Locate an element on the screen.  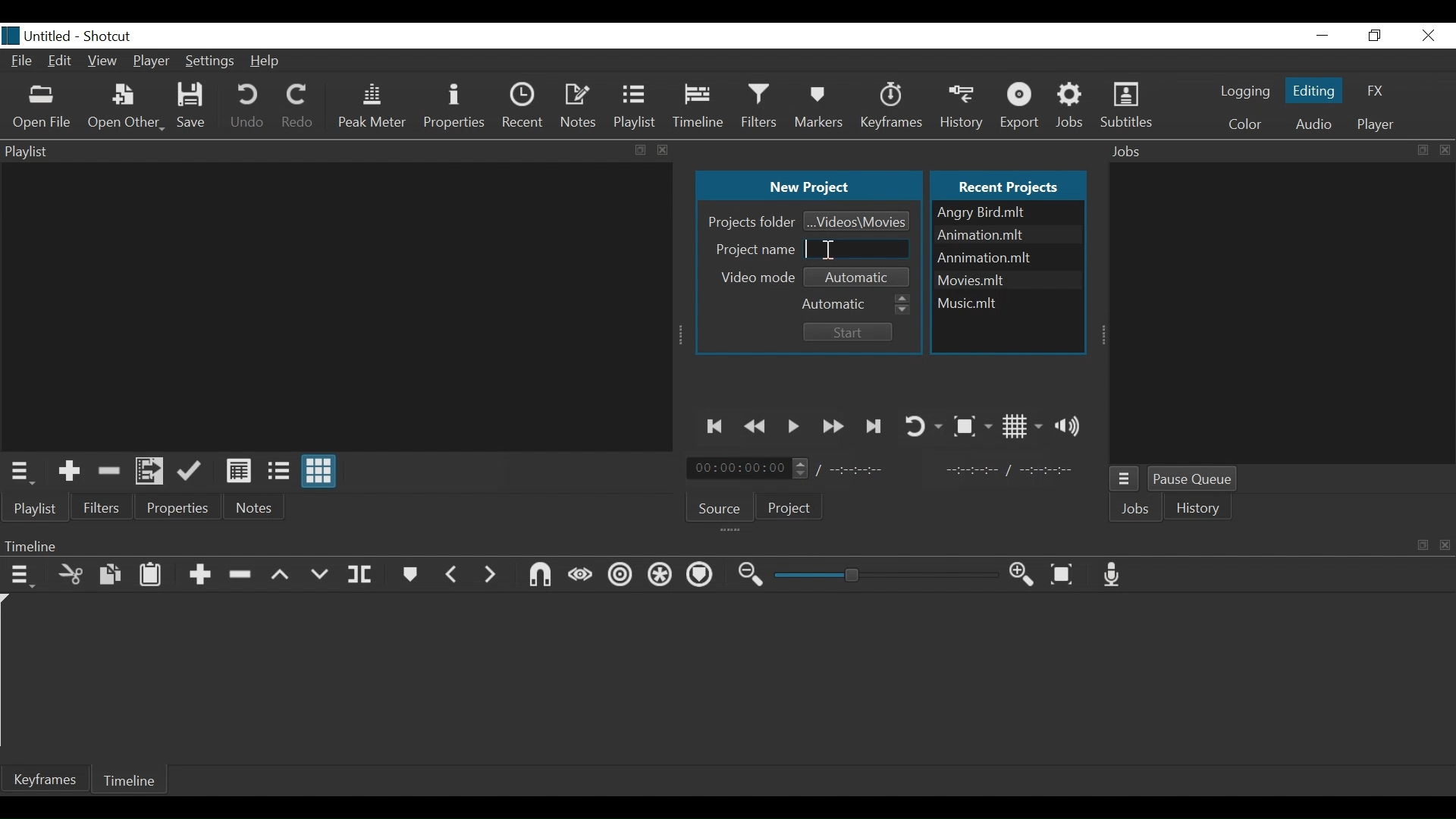
Help is located at coordinates (268, 61).